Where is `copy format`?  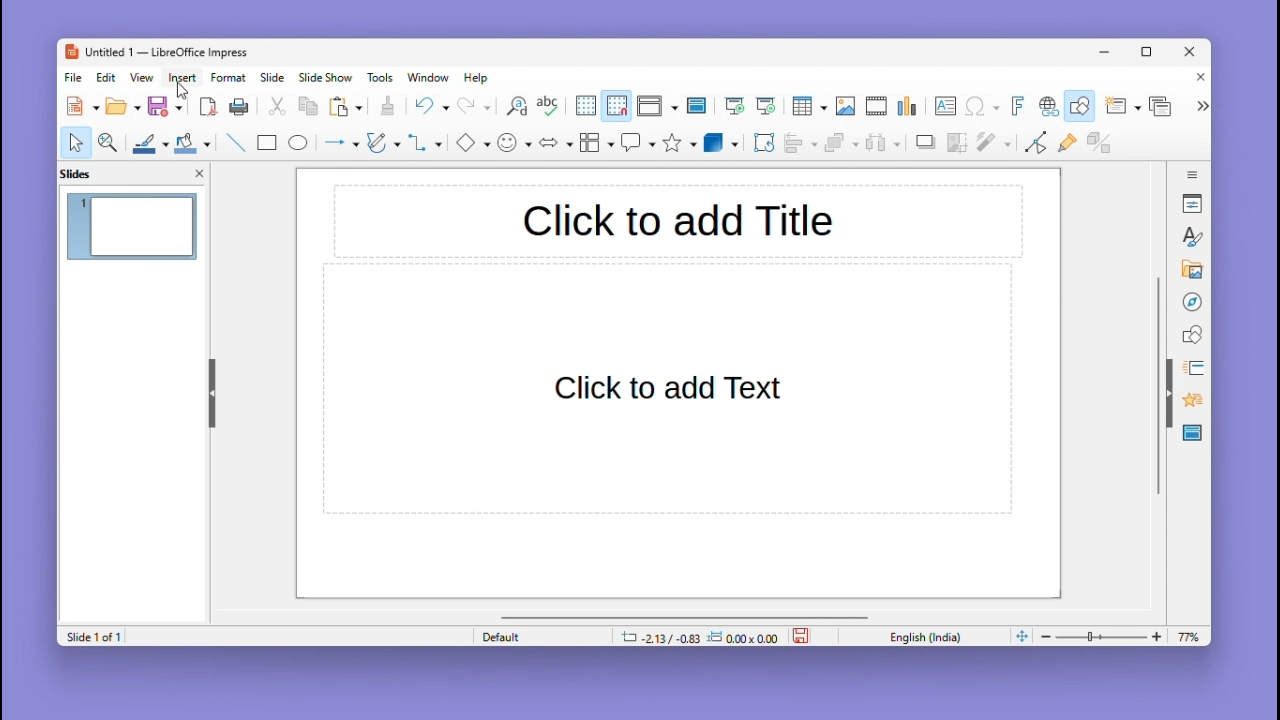
copy format is located at coordinates (386, 108).